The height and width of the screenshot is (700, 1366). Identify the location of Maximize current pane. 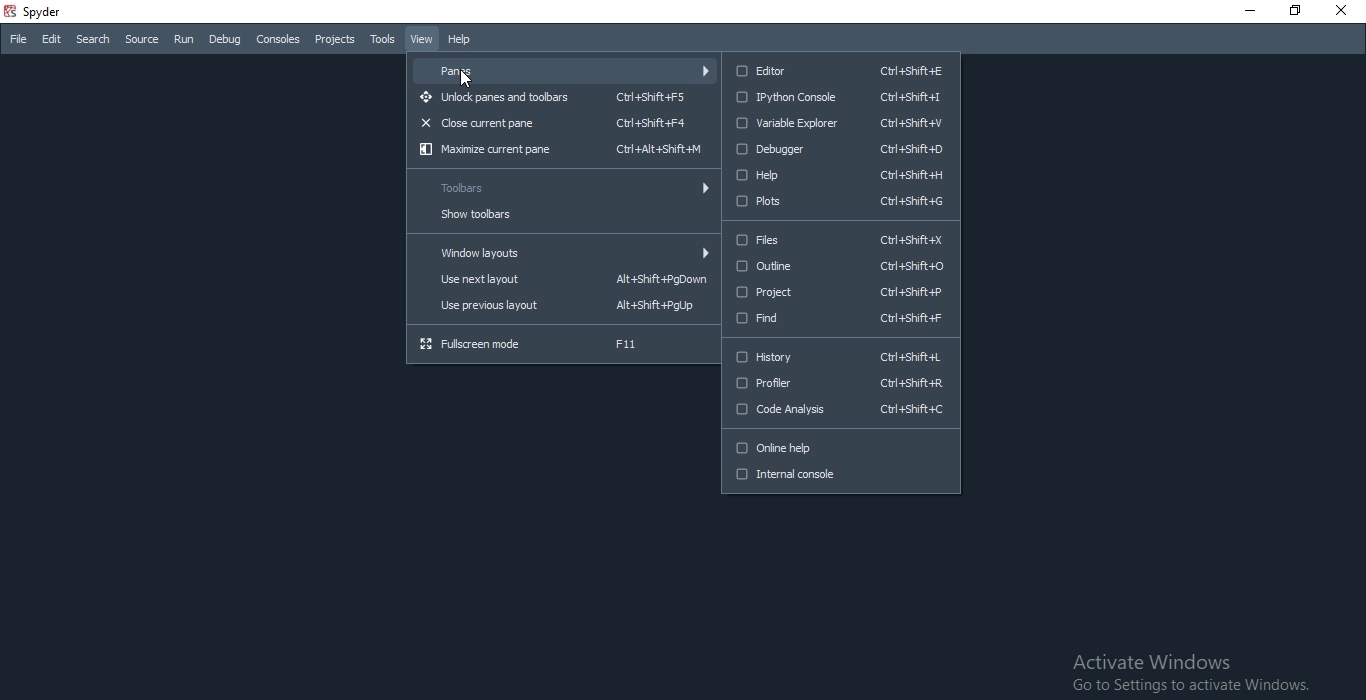
(561, 149).